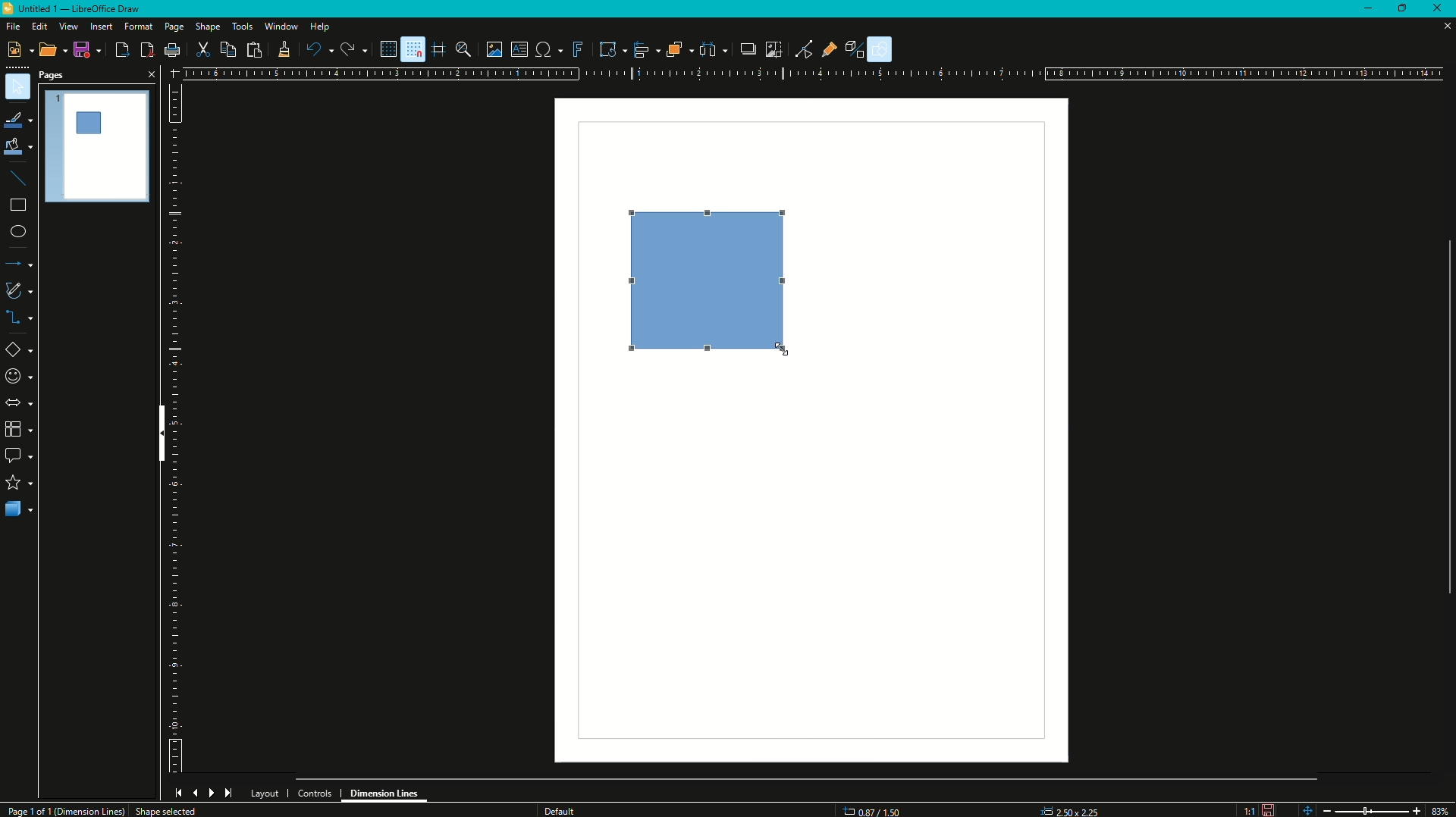 Image resolution: width=1456 pixels, height=817 pixels. What do you see at coordinates (100, 27) in the screenshot?
I see `Insert` at bounding box center [100, 27].